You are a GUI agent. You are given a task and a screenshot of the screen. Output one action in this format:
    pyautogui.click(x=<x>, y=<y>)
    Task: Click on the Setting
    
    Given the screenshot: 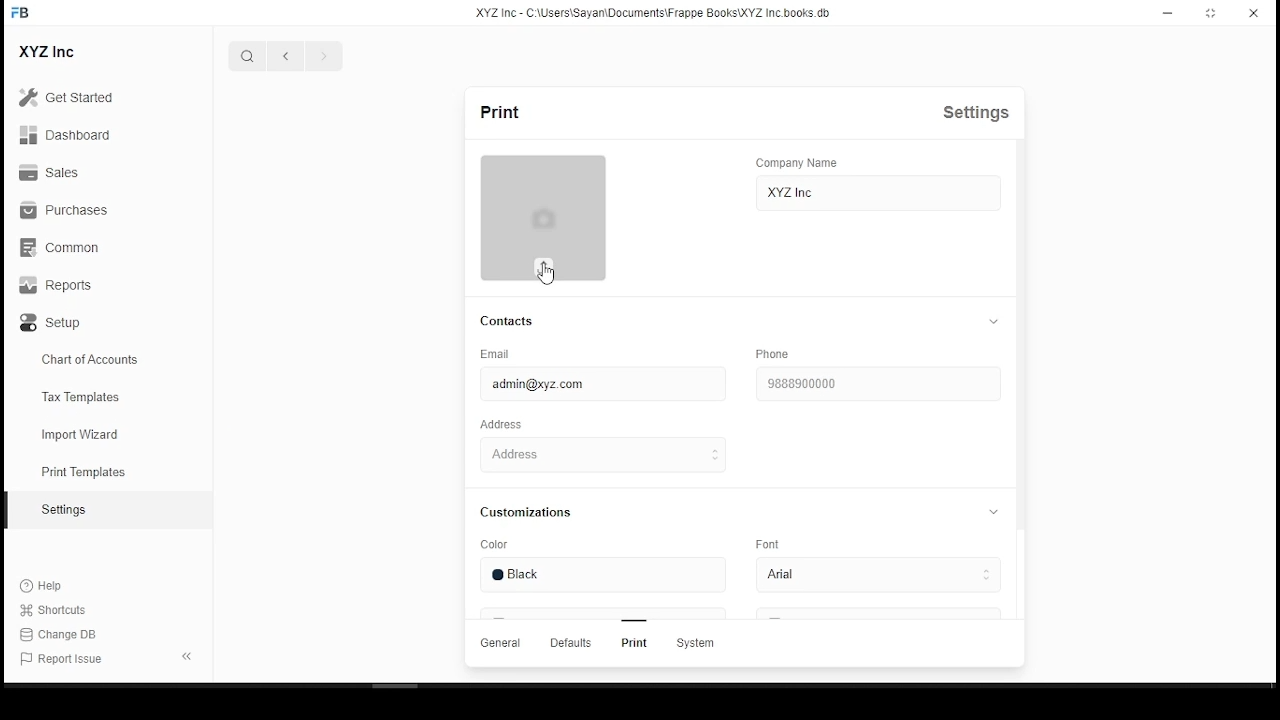 What is the action you would take?
    pyautogui.click(x=63, y=509)
    